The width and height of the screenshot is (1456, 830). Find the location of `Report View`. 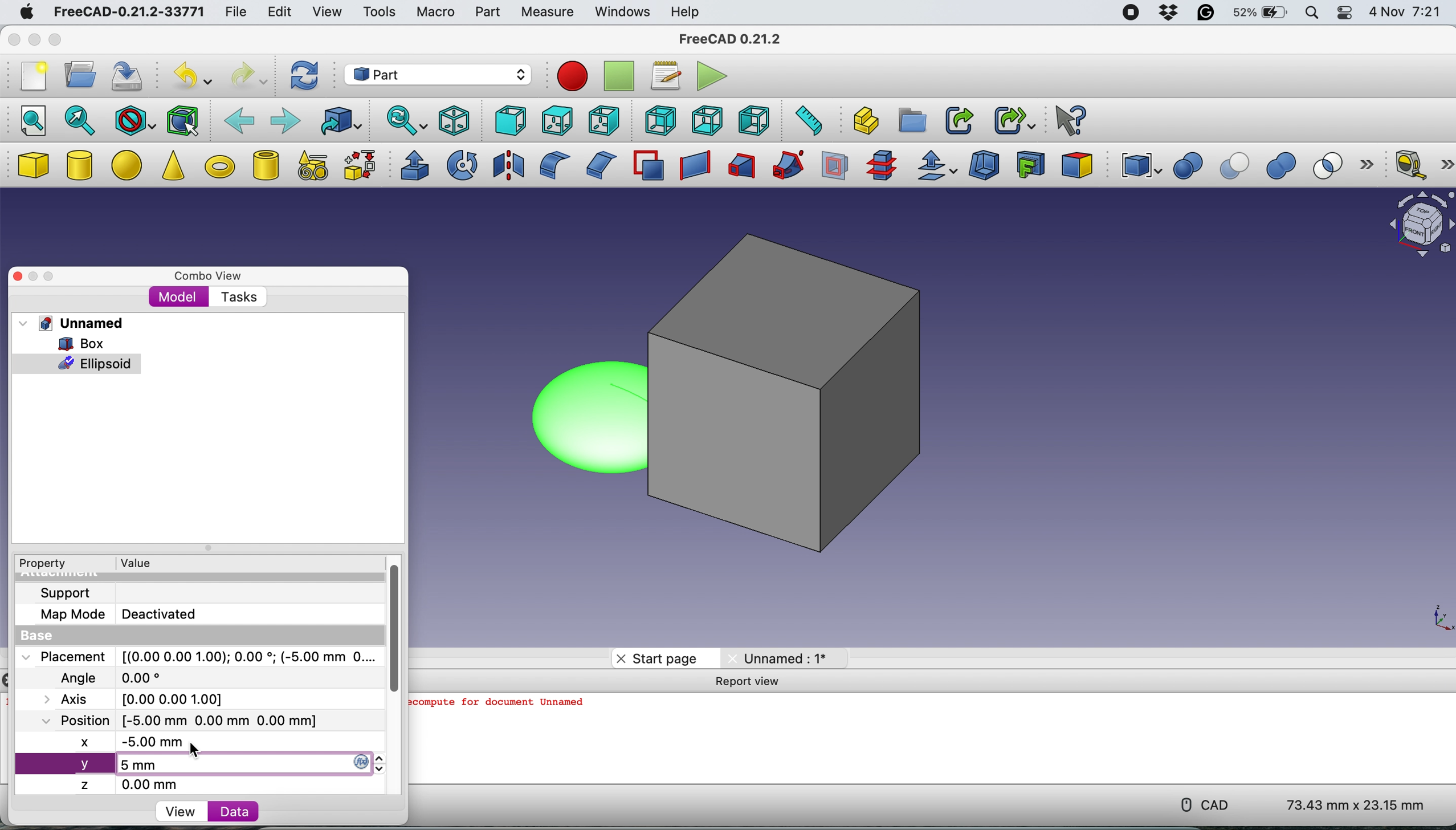

Report View is located at coordinates (753, 682).